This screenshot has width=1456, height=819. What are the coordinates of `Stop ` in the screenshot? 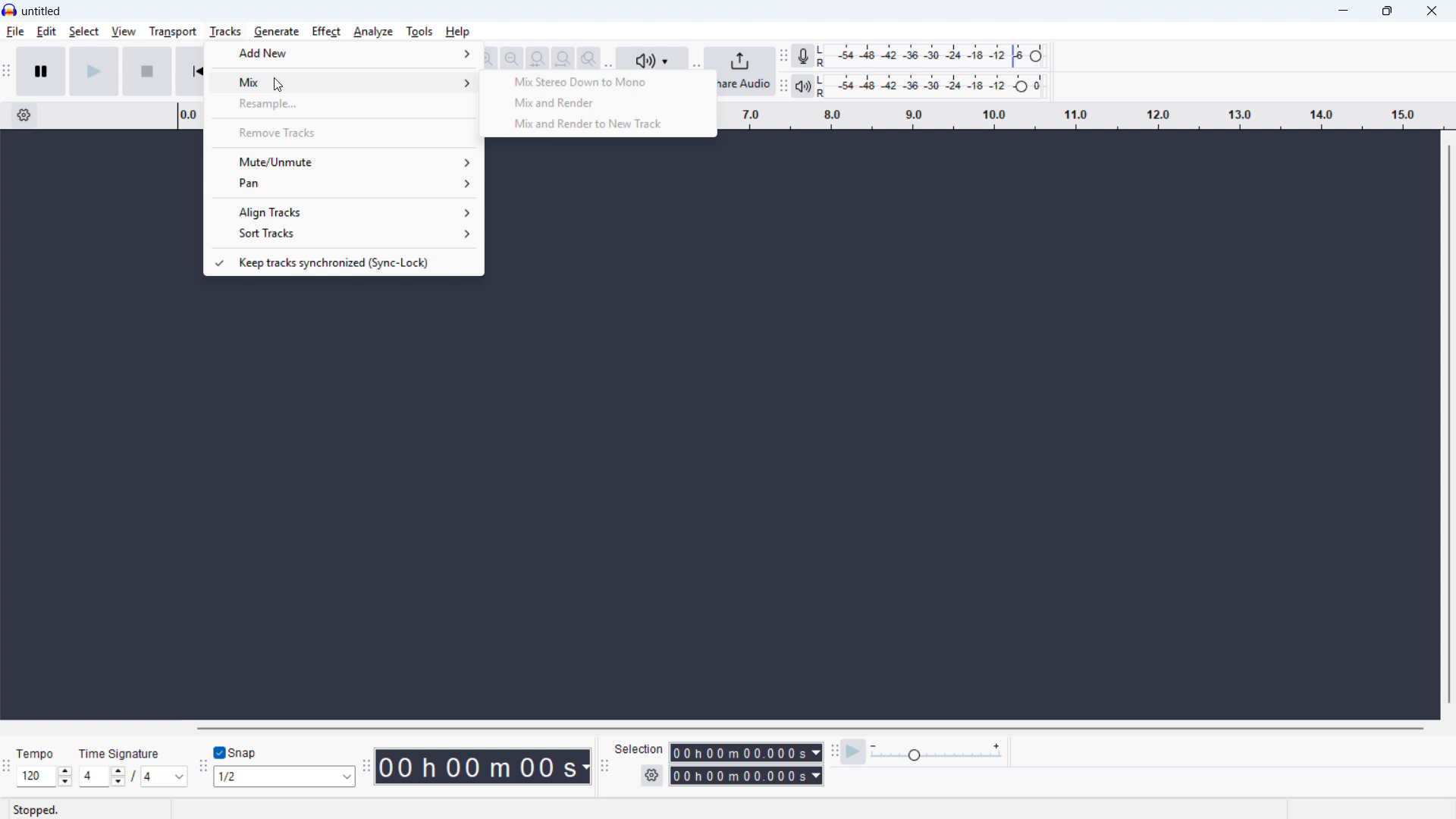 It's located at (149, 71).